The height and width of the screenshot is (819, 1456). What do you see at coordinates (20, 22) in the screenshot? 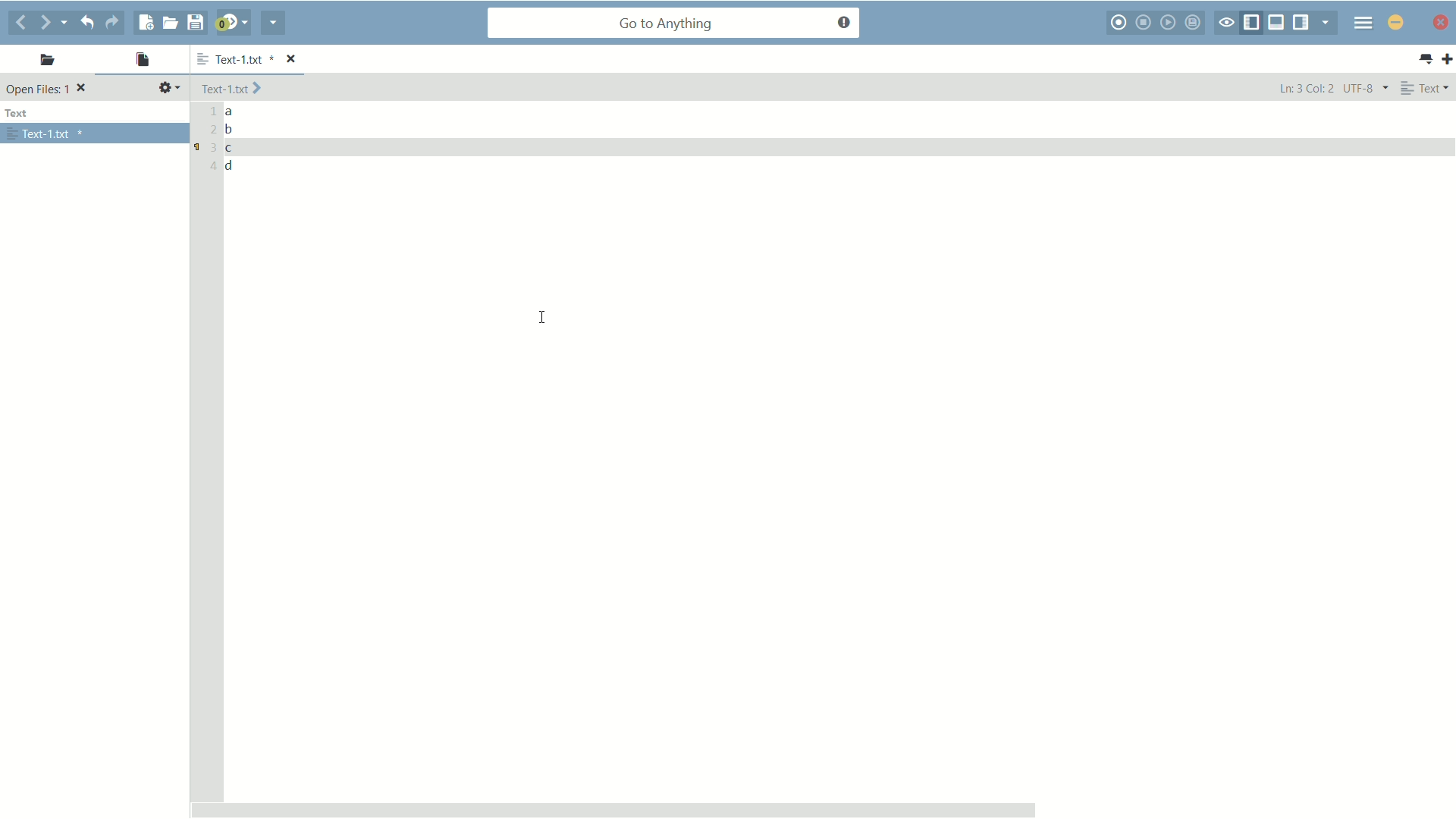
I see `go back` at bounding box center [20, 22].